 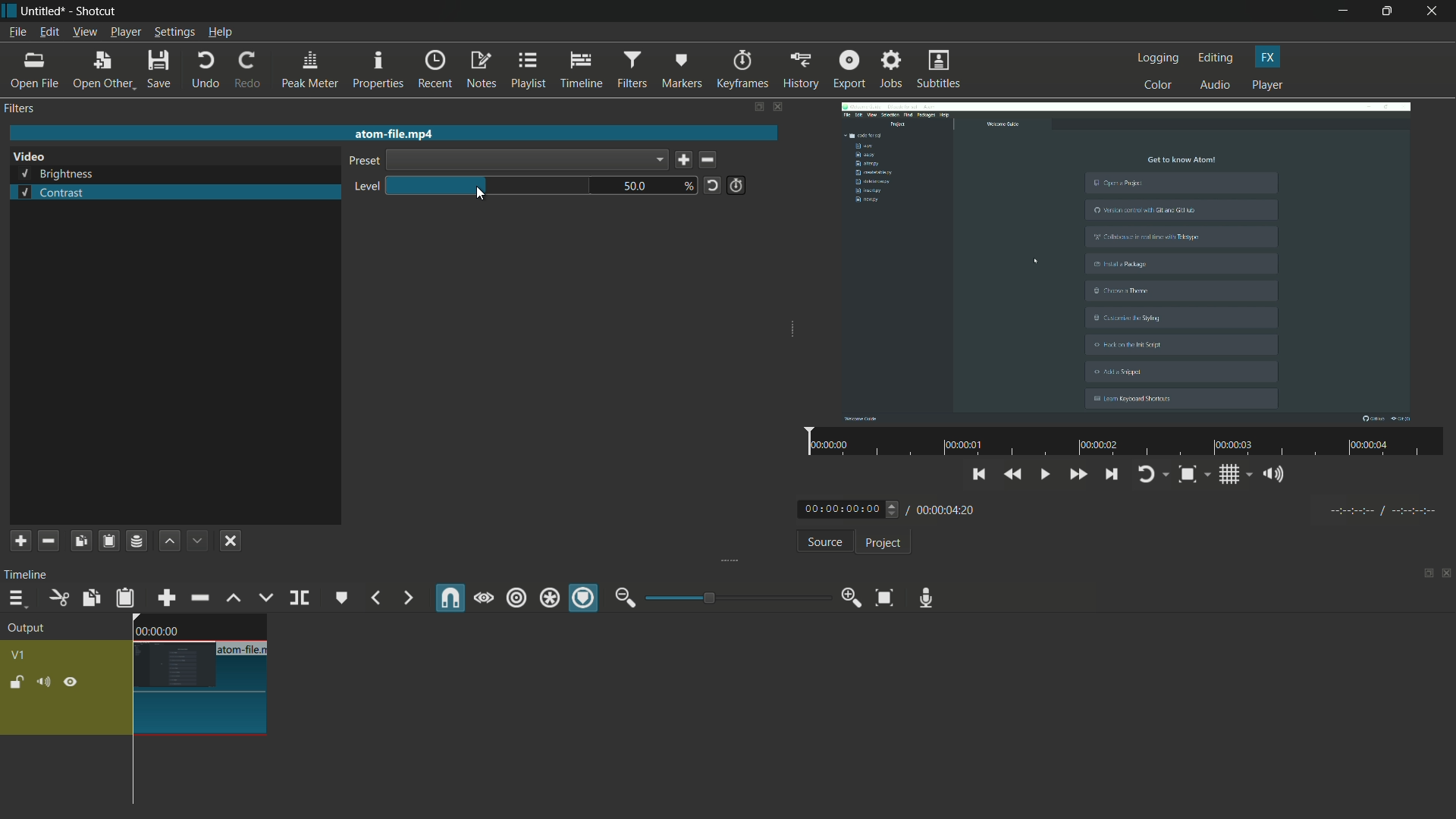 What do you see at coordinates (1159, 84) in the screenshot?
I see `color` at bounding box center [1159, 84].